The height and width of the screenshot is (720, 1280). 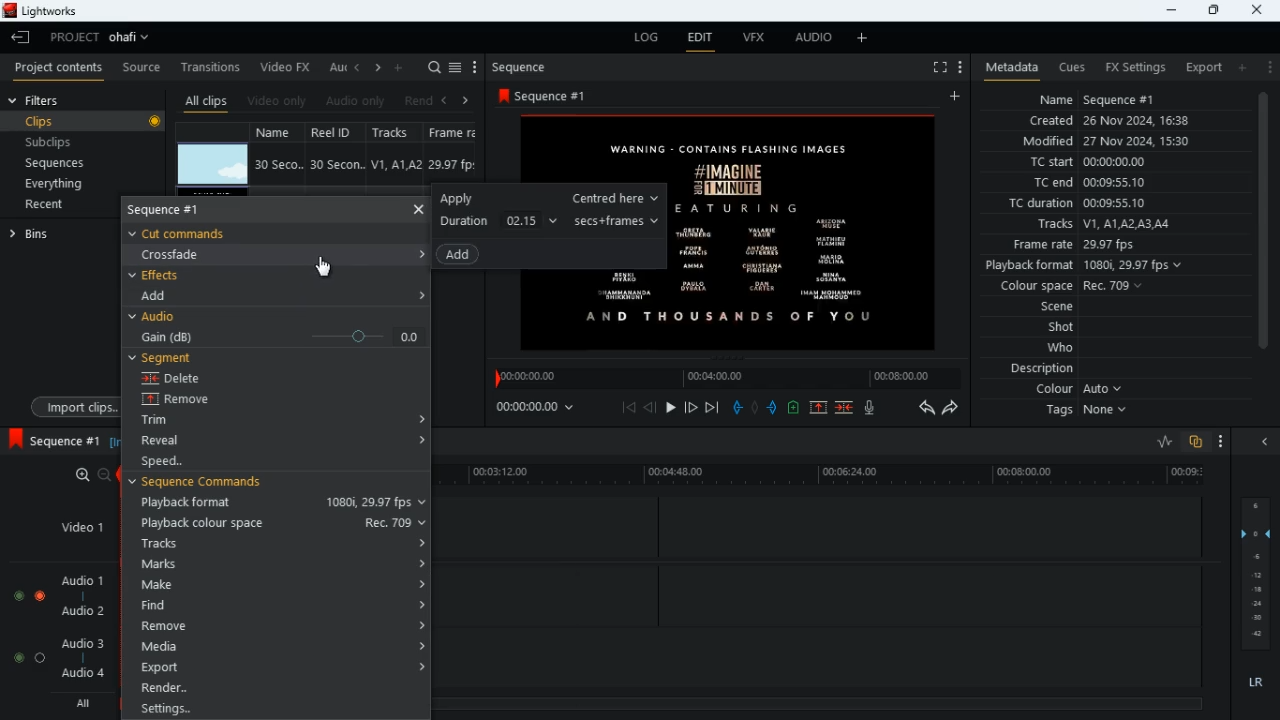 I want to click on hold, so click(x=755, y=408).